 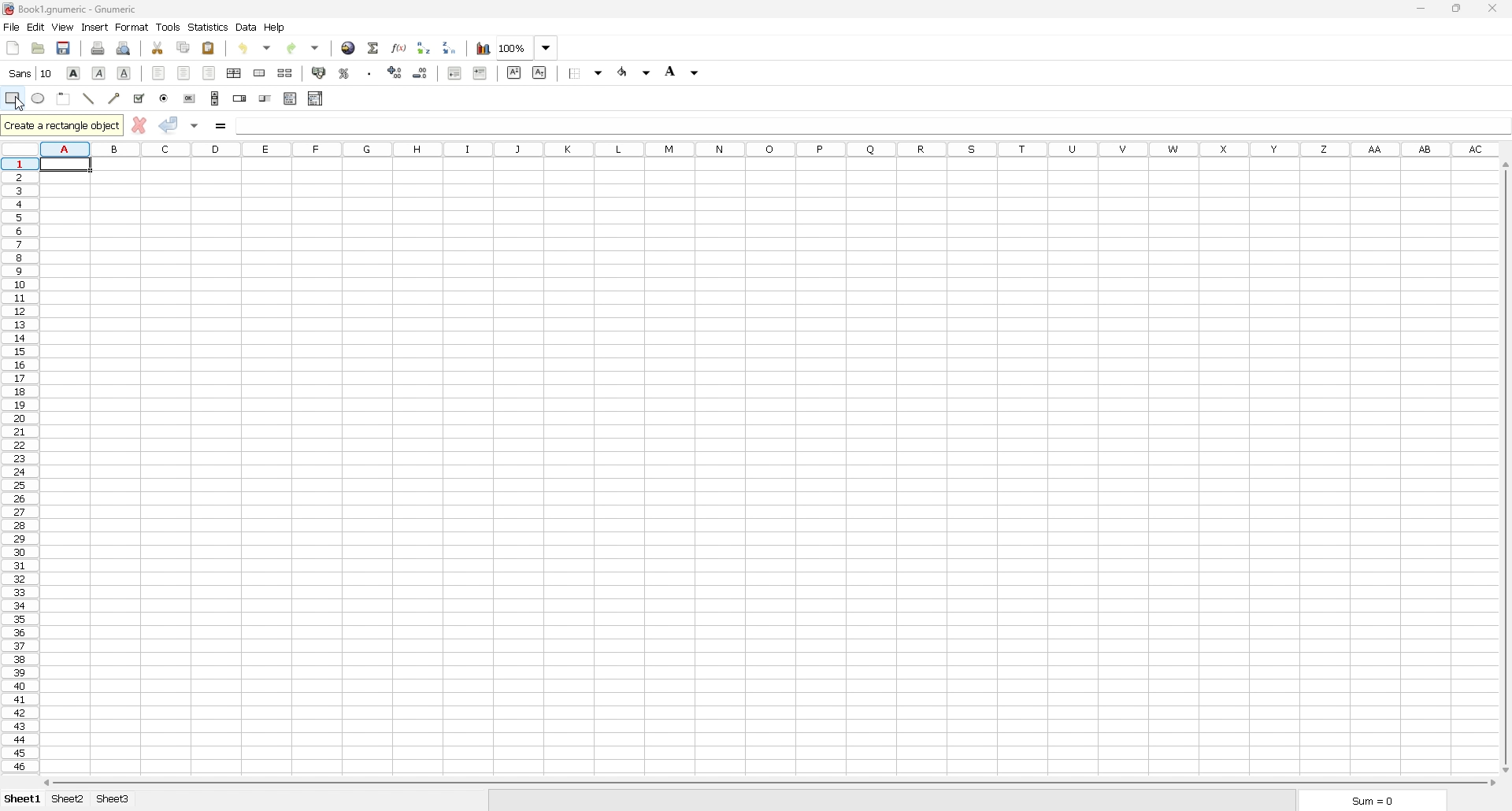 I want to click on button, so click(x=190, y=98).